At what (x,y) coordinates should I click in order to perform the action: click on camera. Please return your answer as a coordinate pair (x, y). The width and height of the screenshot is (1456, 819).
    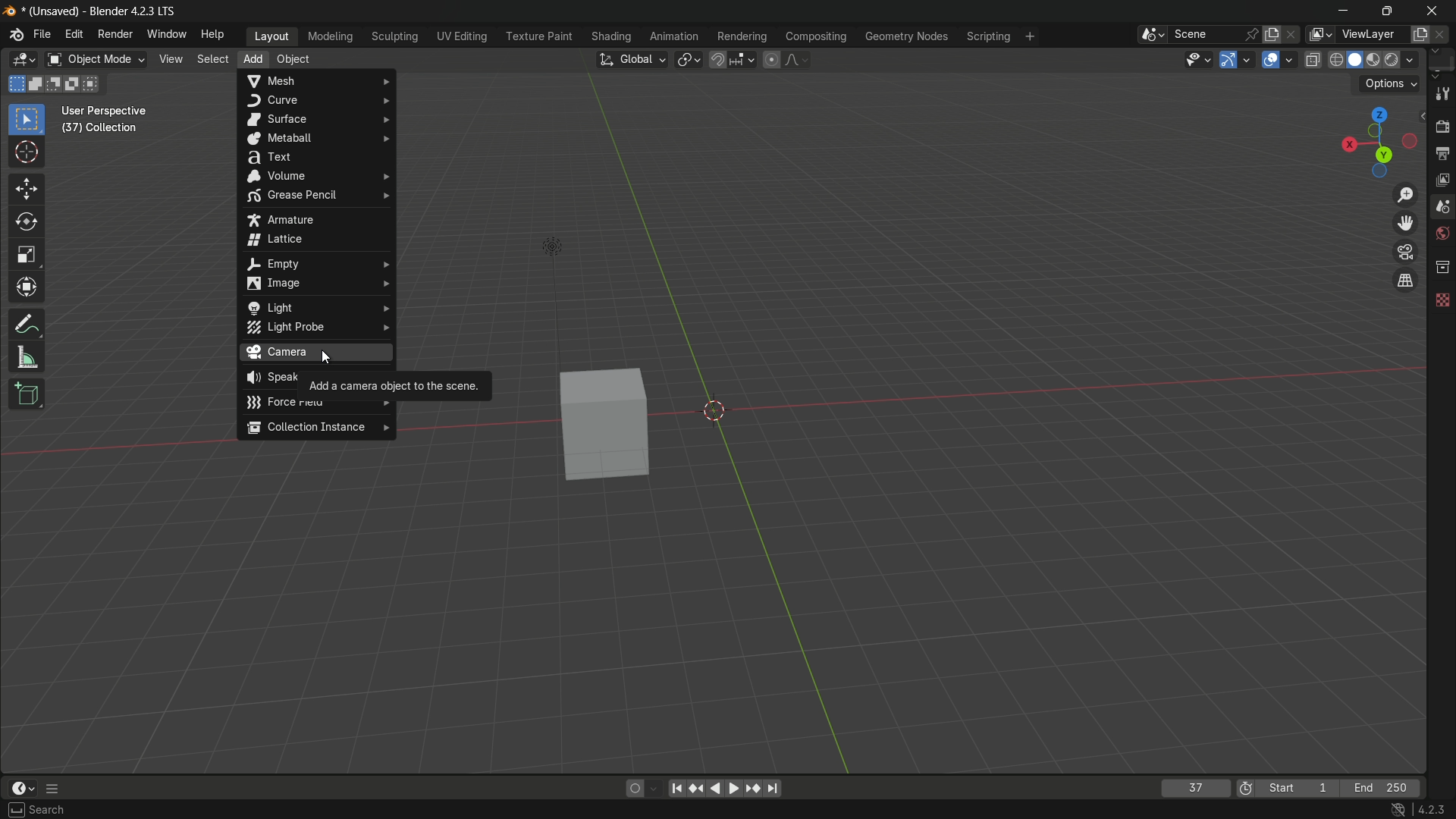
    Looking at the image, I should click on (318, 353).